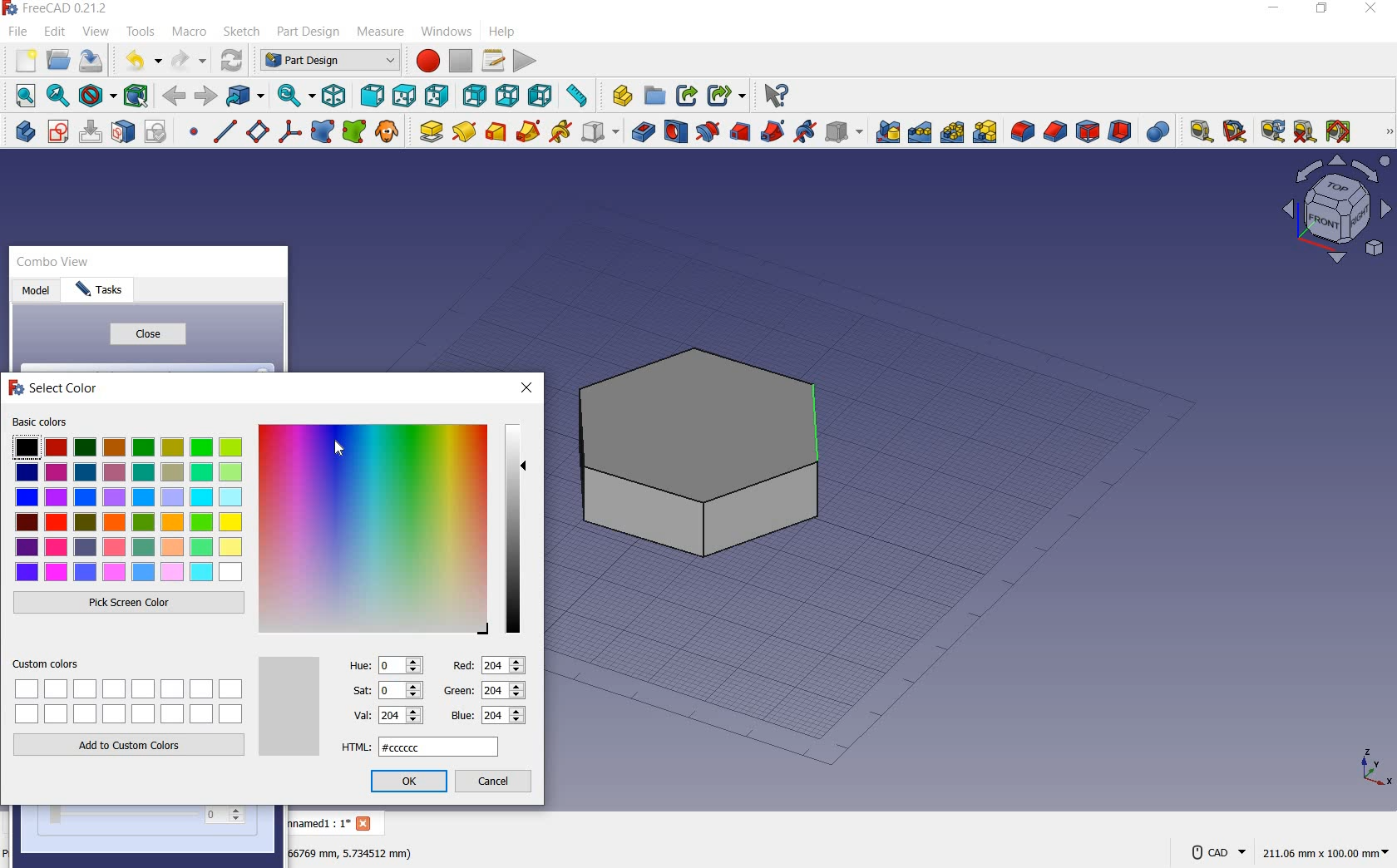 The height and width of the screenshot is (868, 1397). Describe the element at coordinates (1088, 133) in the screenshot. I see `draft` at that location.